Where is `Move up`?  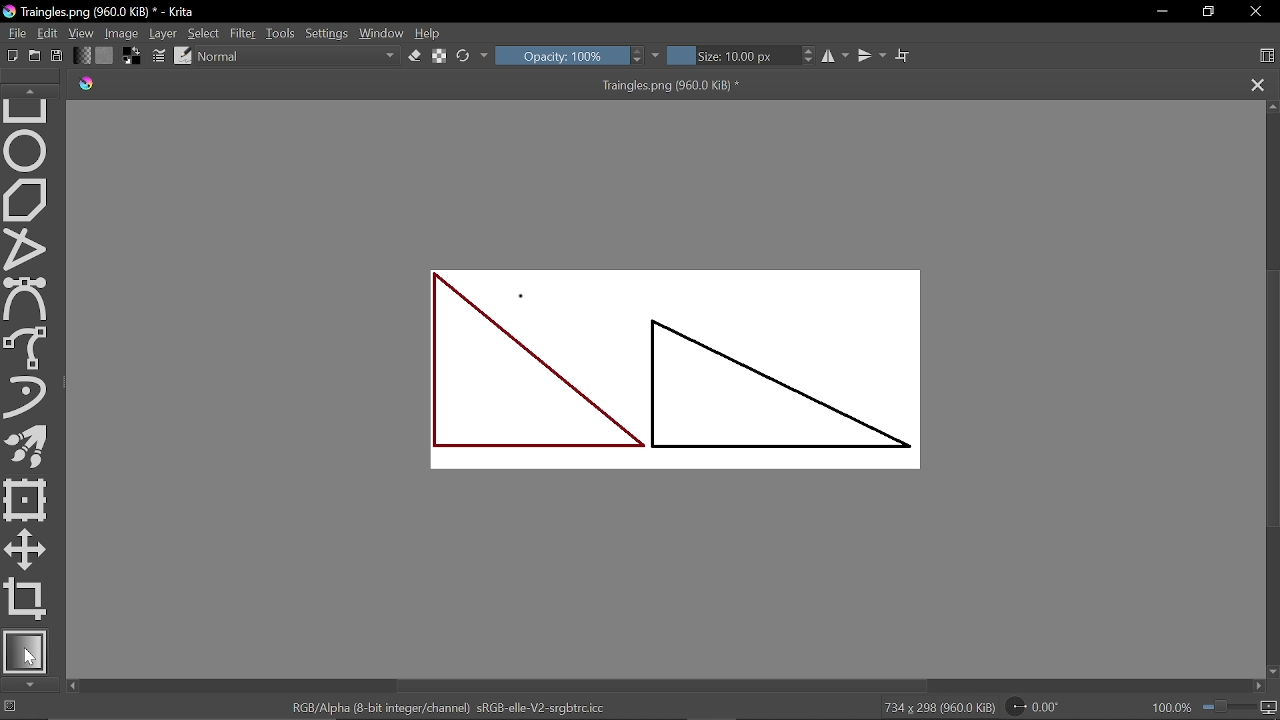
Move up is located at coordinates (1272, 107).